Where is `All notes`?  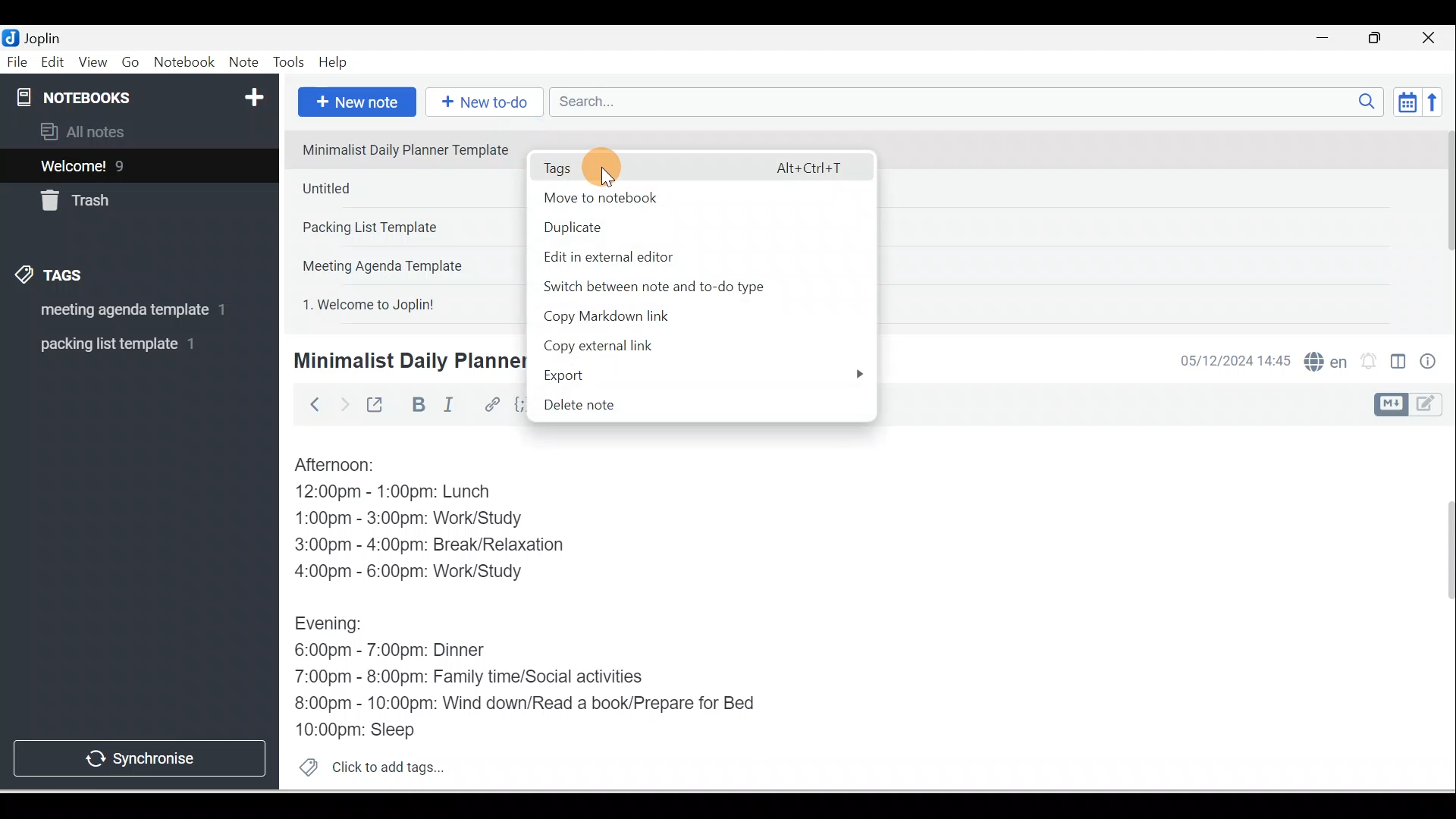
All notes is located at coordinates (137, 131).